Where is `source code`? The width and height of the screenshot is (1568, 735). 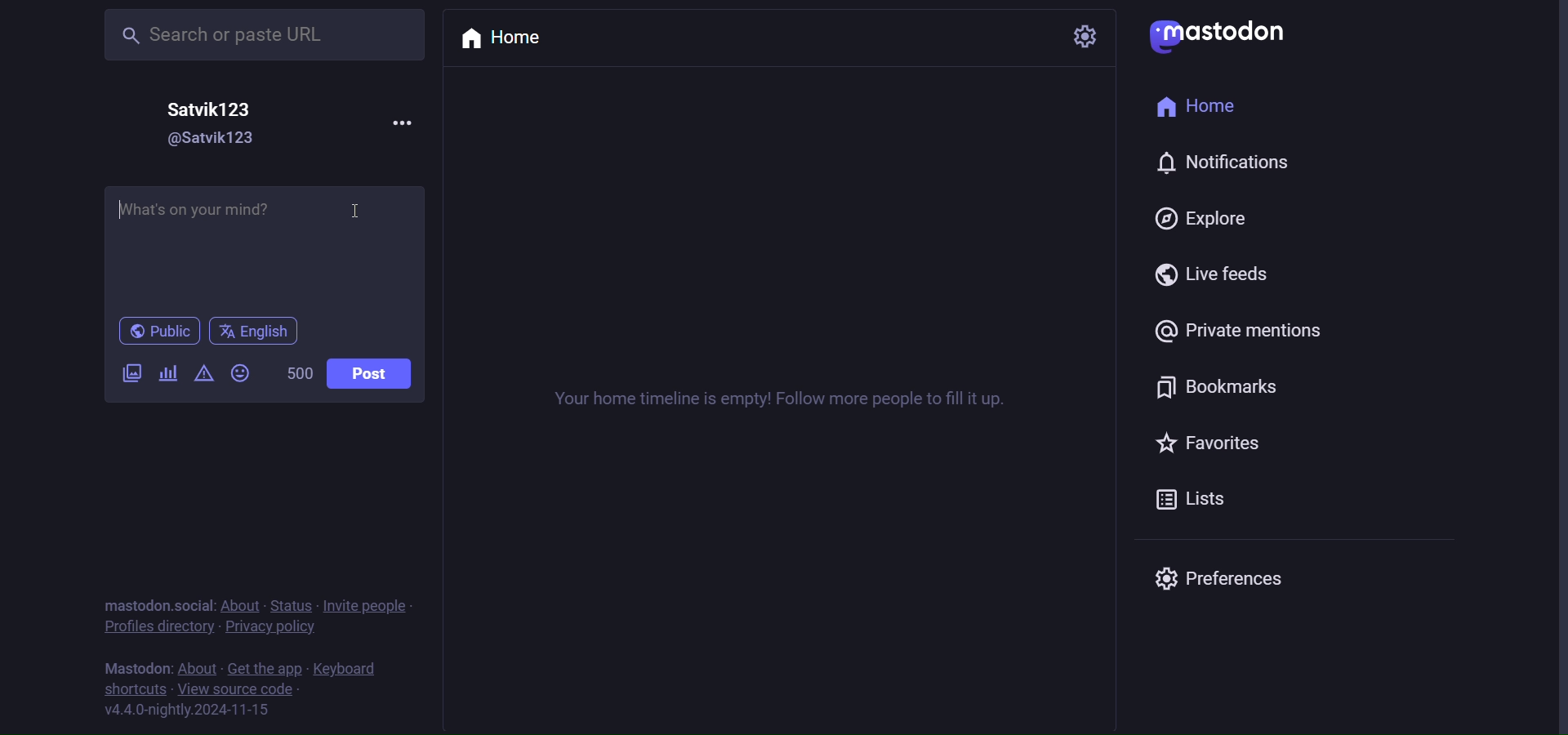
source code is located at coordinates (238, 691).